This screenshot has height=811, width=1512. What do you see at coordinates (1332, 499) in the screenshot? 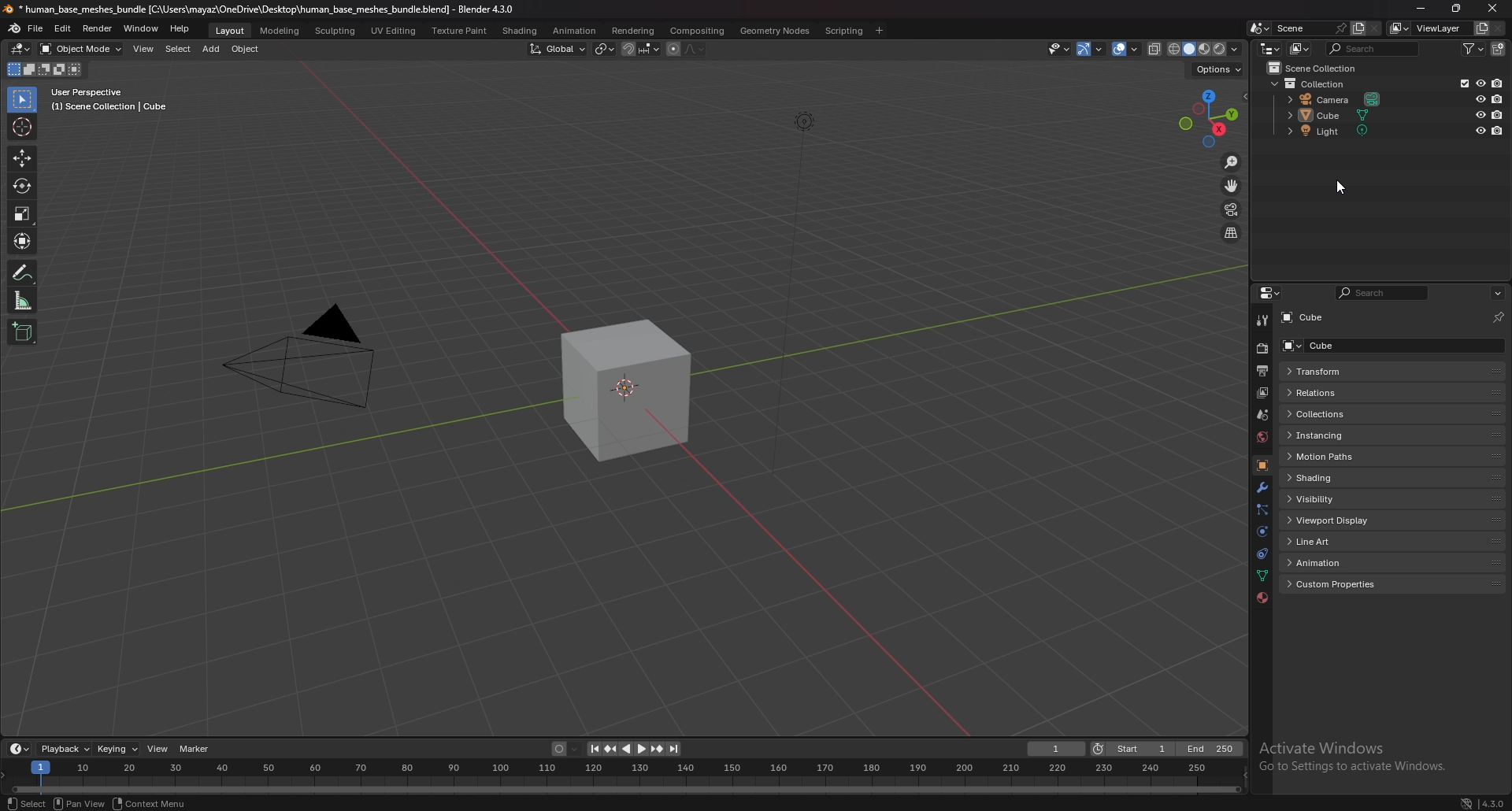
I see `visibility` at bounding box center [1332, 499].